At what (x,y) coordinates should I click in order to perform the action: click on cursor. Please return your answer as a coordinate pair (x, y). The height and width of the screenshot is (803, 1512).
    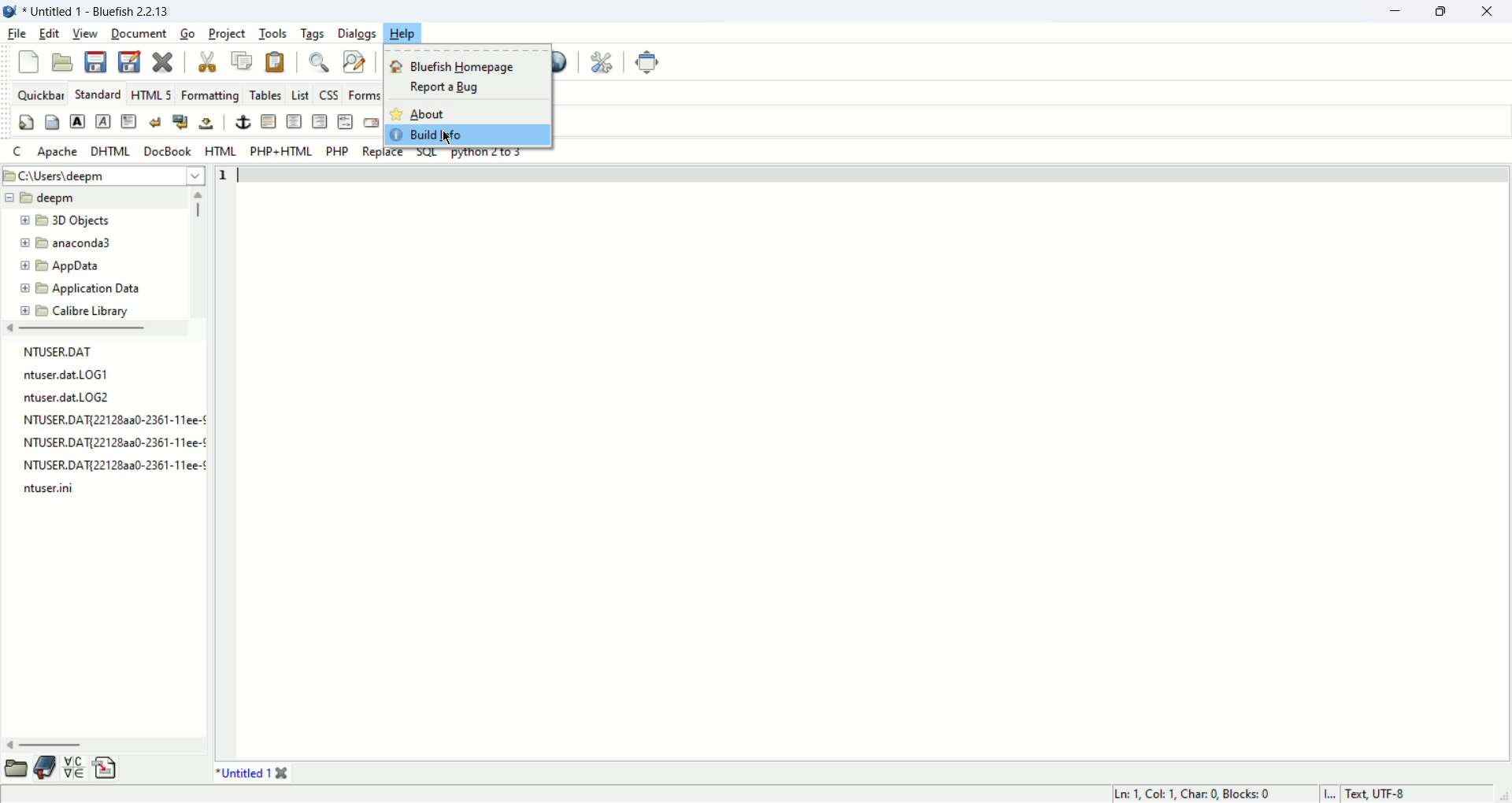
    Looking at the image, I should click on (450, 137).